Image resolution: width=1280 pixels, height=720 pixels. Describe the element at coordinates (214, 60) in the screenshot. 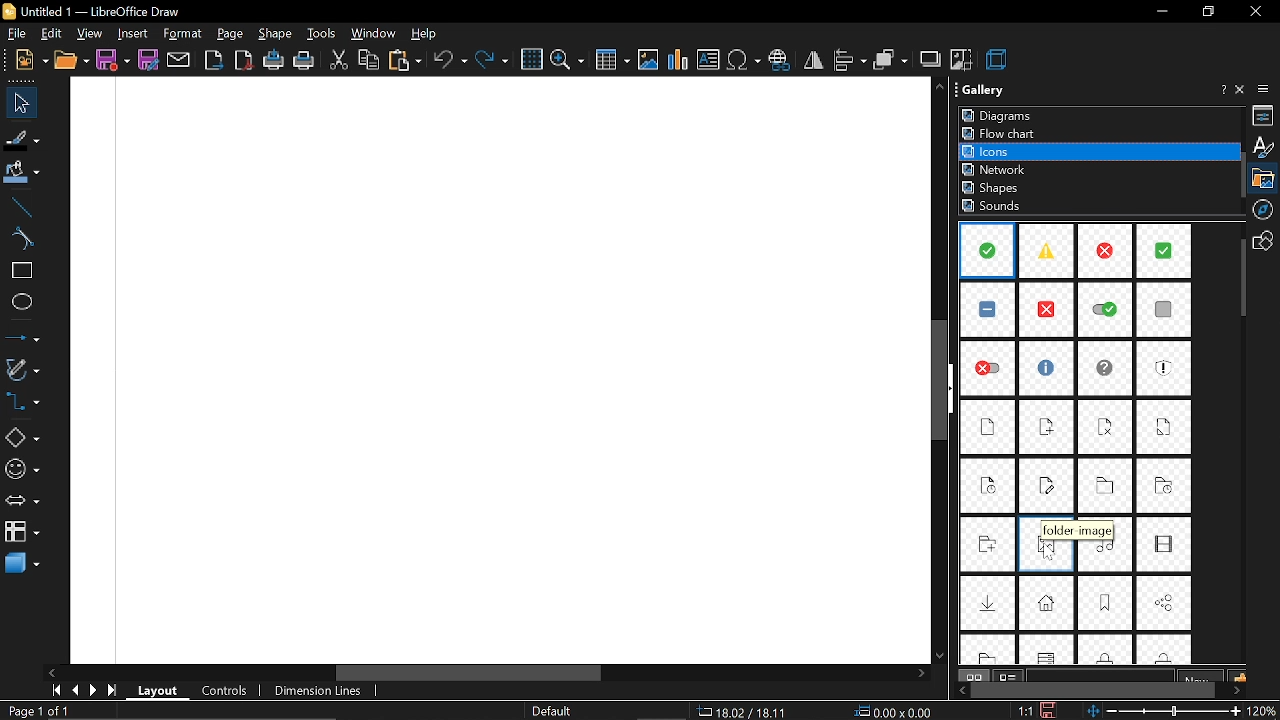

I see `export` at that location.